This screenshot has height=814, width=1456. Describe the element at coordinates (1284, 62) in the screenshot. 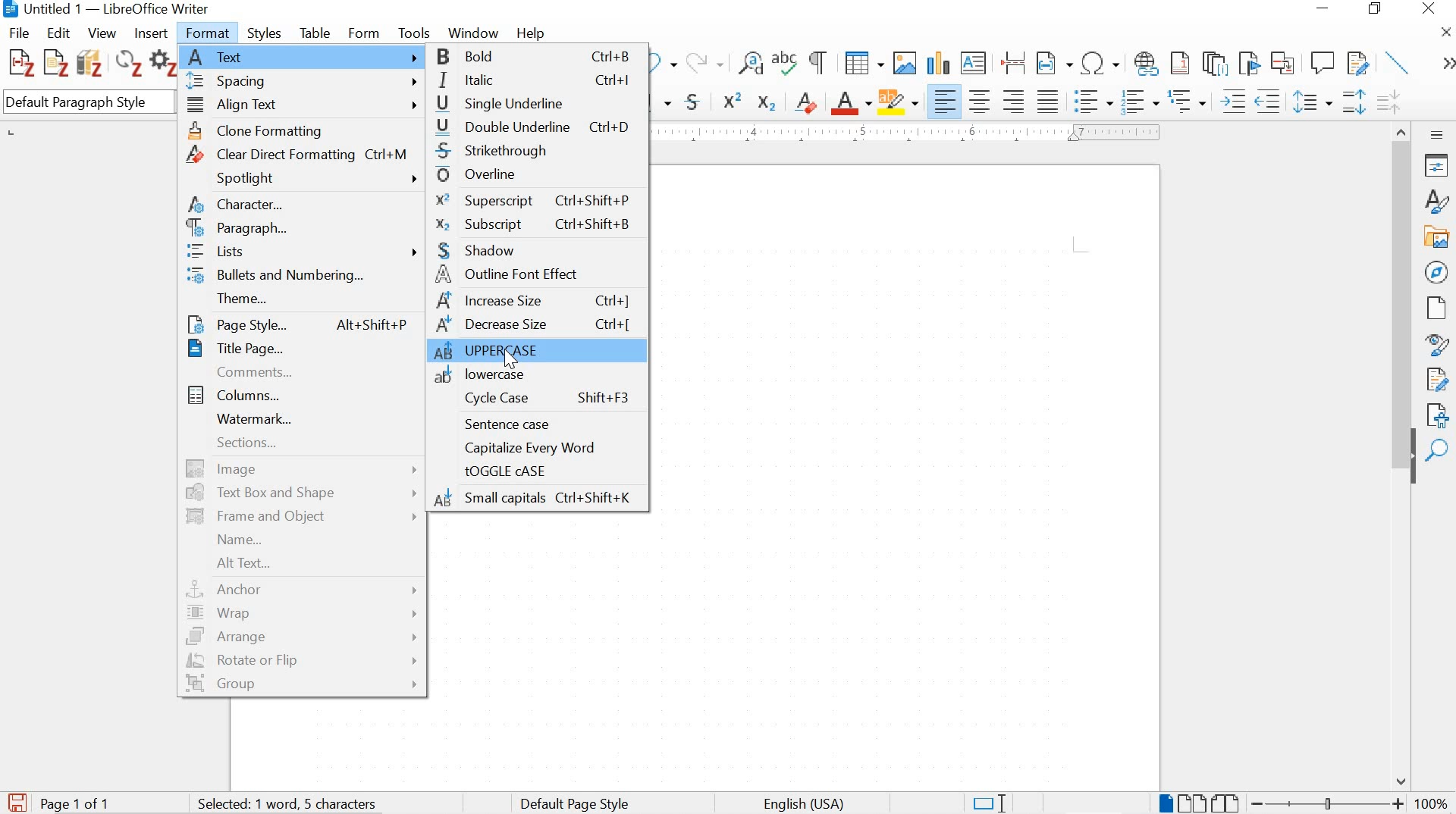

I see `insert cross-reference` at that location.